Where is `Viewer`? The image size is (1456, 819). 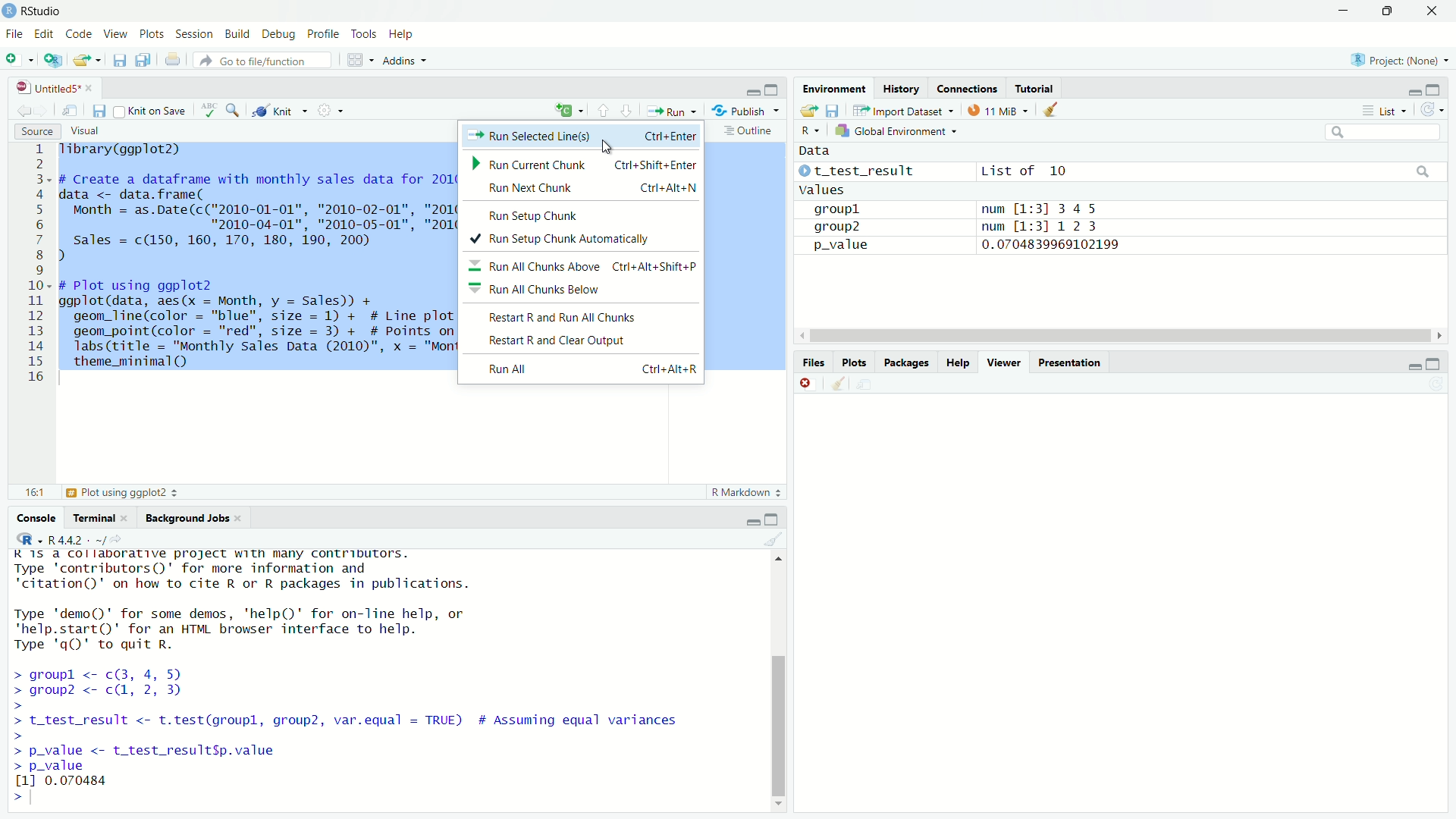
Viewer is located at coordinates (1001, 361).